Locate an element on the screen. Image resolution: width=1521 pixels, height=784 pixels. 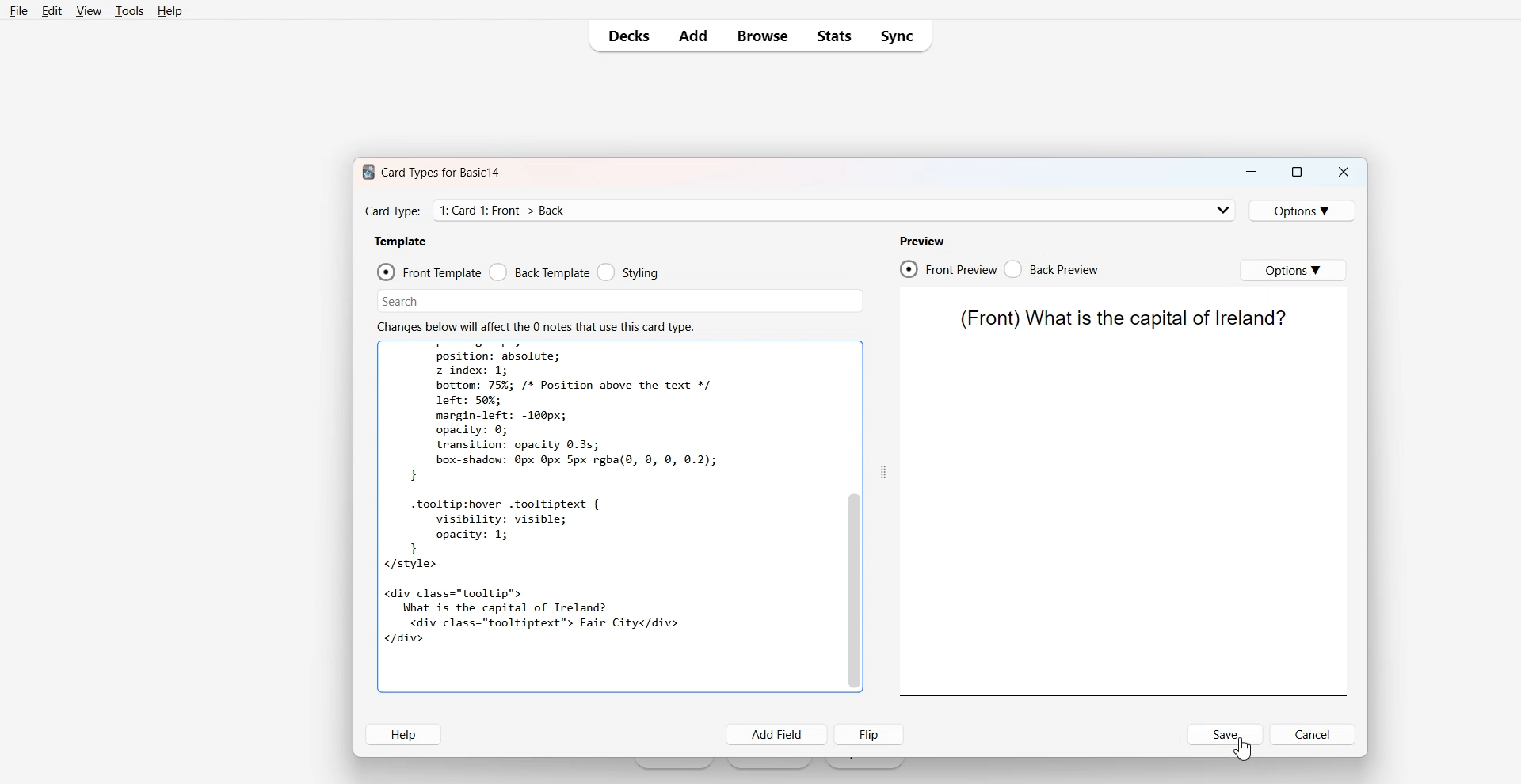
Software logo is located at coordinates (367, 173).